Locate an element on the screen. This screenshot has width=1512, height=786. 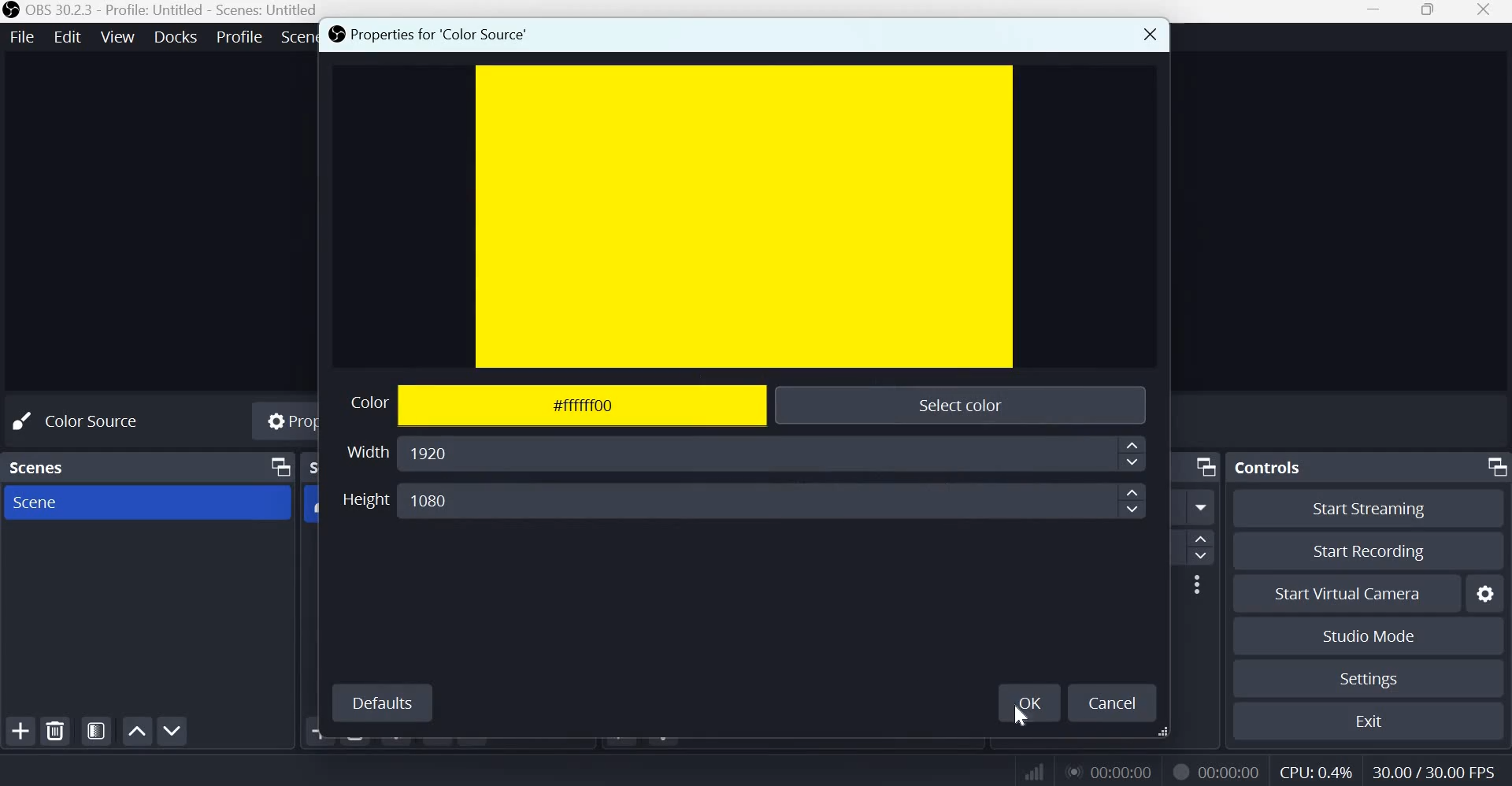
color changed is located at coordinates (584, 406).